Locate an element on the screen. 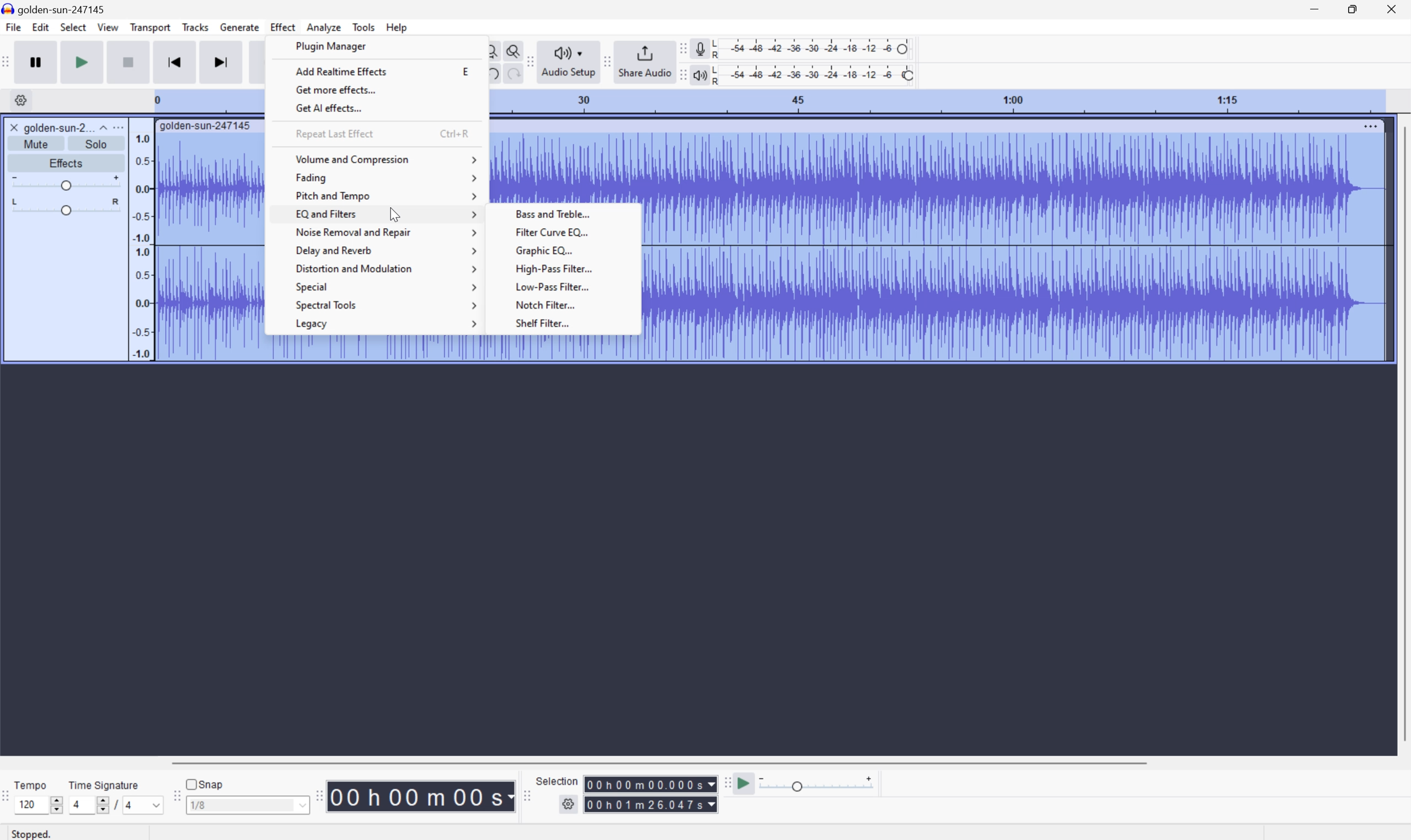 The height and width of the screenshot is (840, 1411). Distortion and Modulation is located at coordinates (385, 271).